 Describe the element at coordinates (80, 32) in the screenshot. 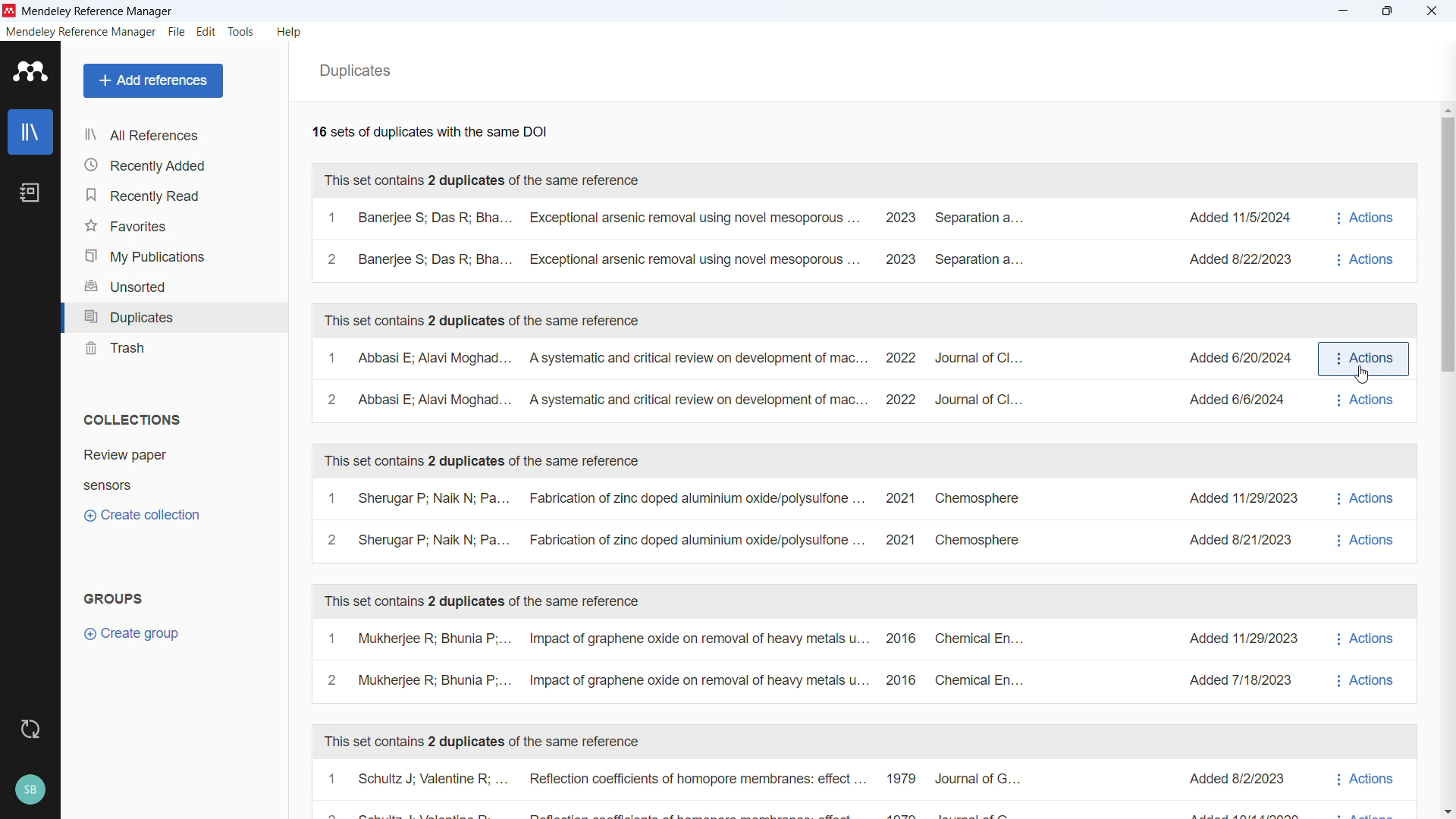

I see `mendeley reference manager` at that location.